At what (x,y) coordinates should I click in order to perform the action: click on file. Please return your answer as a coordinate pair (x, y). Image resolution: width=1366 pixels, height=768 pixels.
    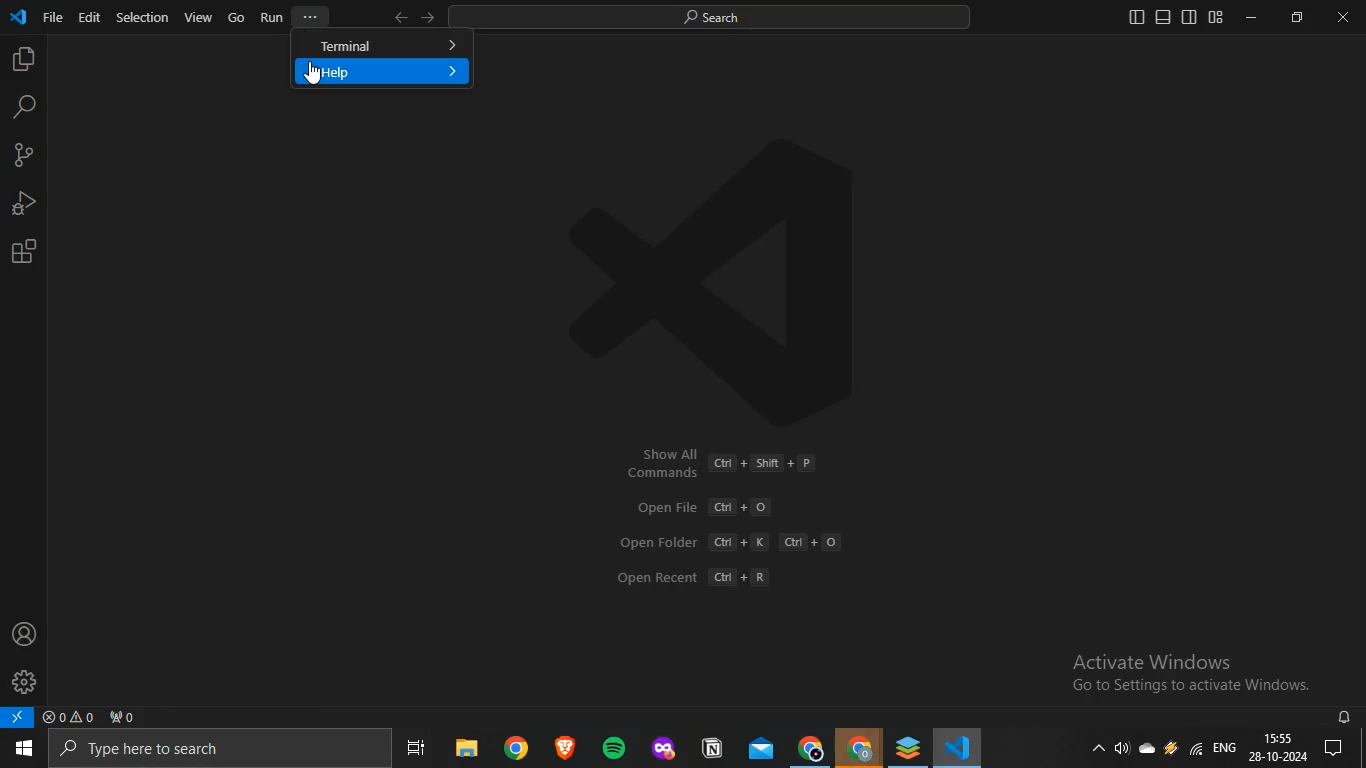
    Looking at the image, I should click on (53, 17).